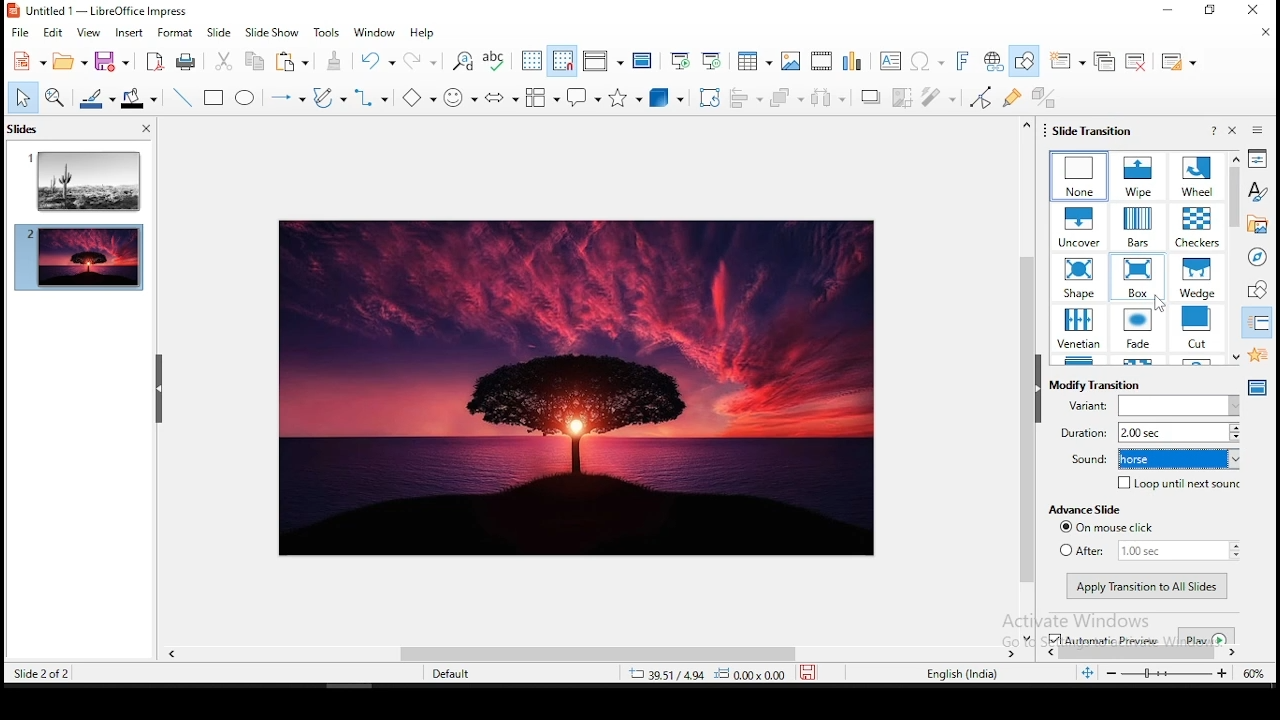 The image size is (1280, 720). What do you see at coordinates (679, 56) in the screenshot?
I see `start from first slide` at bounding box center [679, 56].